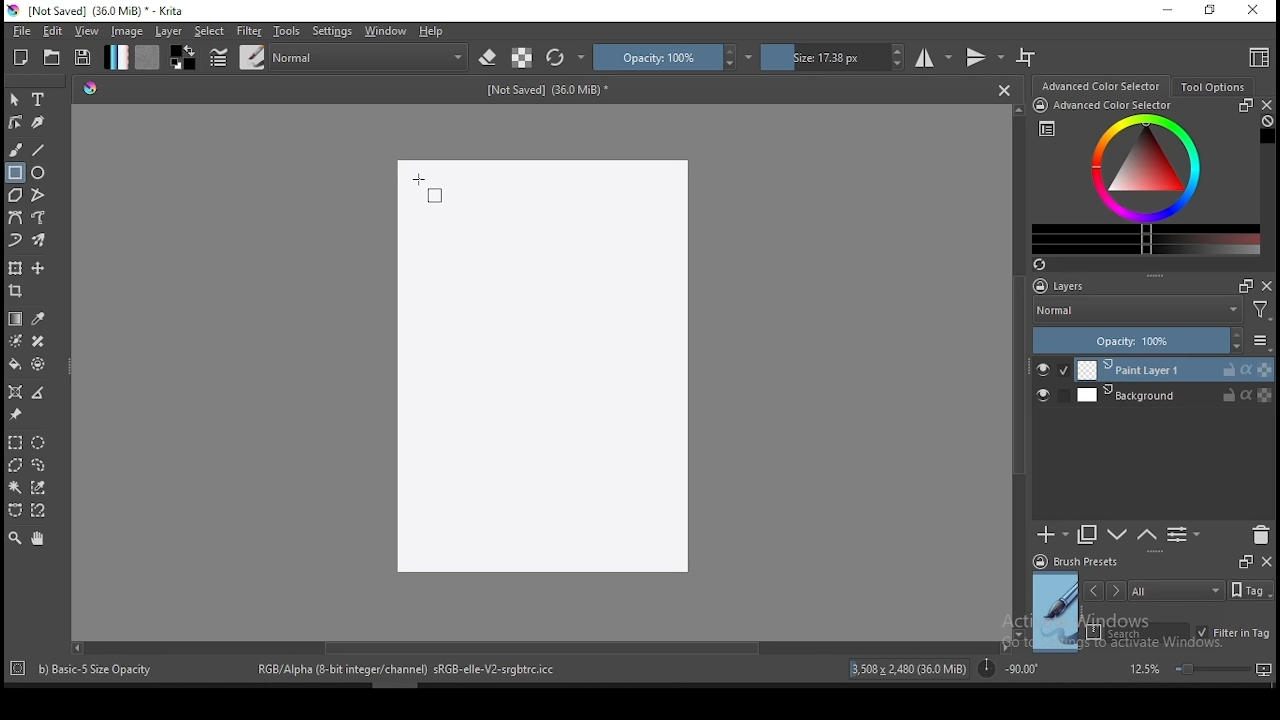 The height and width of the screenshot is (720, 1280). I want to click on delete layer, so click(1260, 536).